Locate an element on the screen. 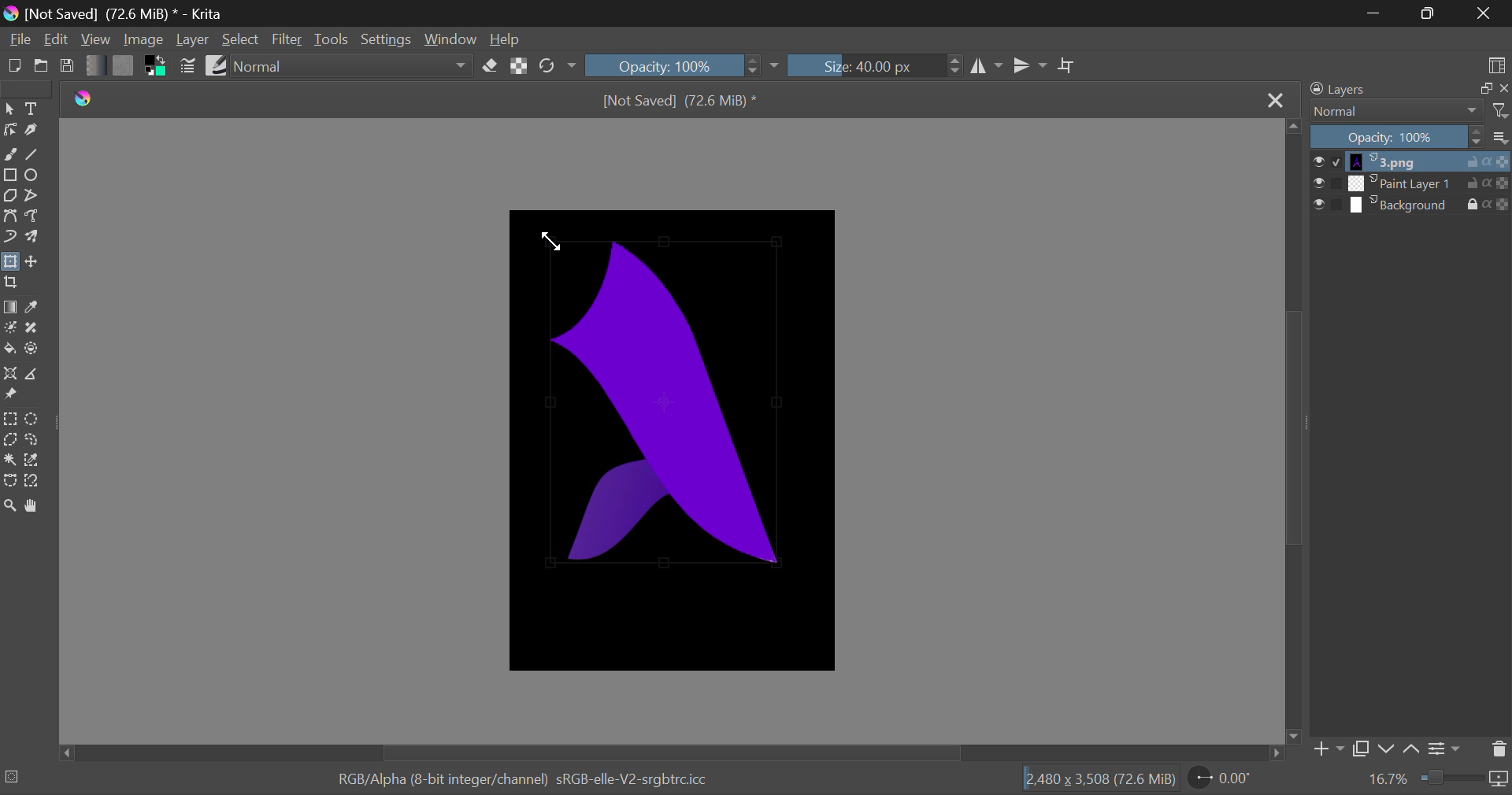 The image size is (1512, 795). Multibrush Tool is located at coordinates (35, 239).